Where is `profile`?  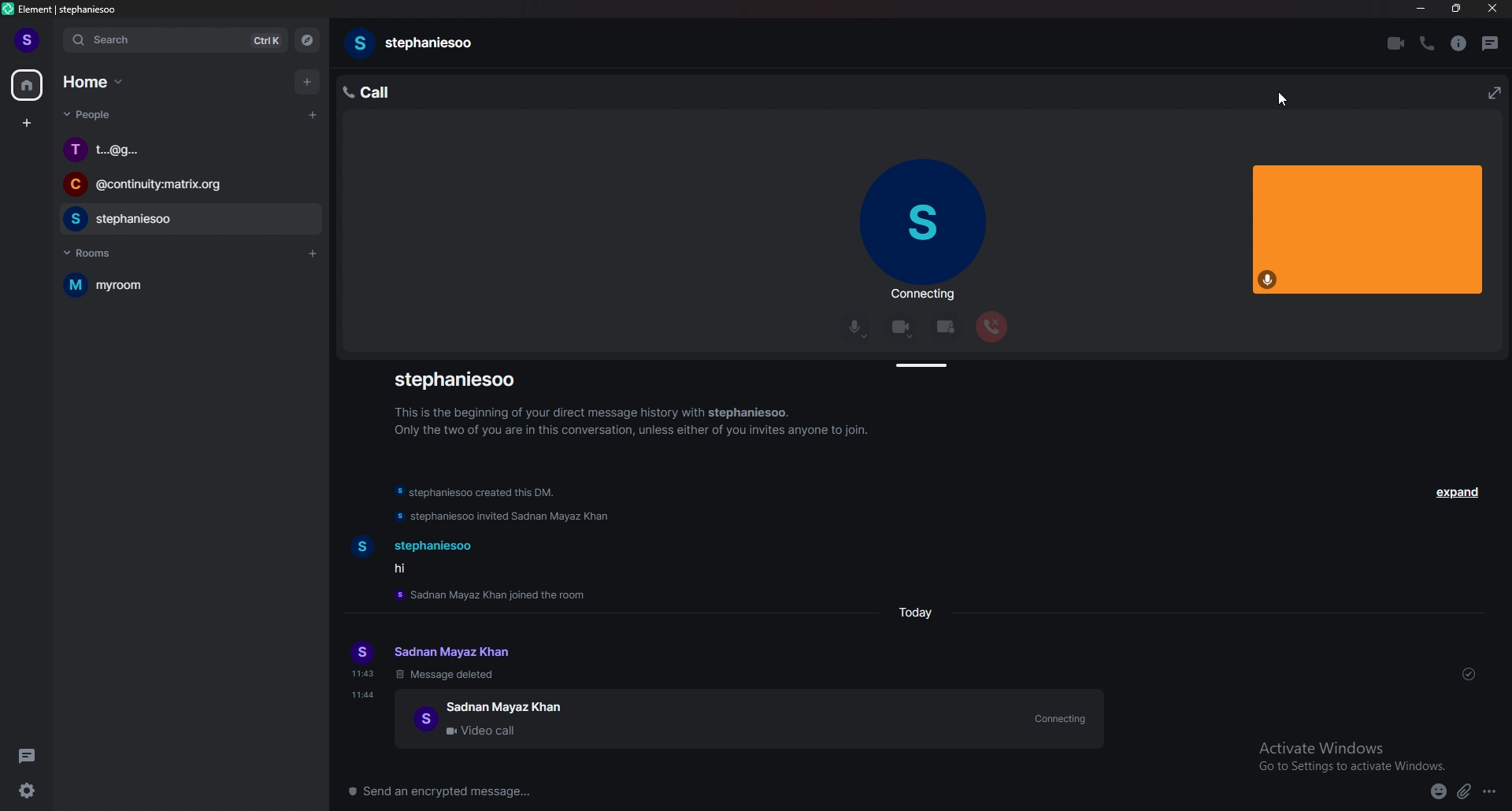 profile is located at coordinates (28, 41).